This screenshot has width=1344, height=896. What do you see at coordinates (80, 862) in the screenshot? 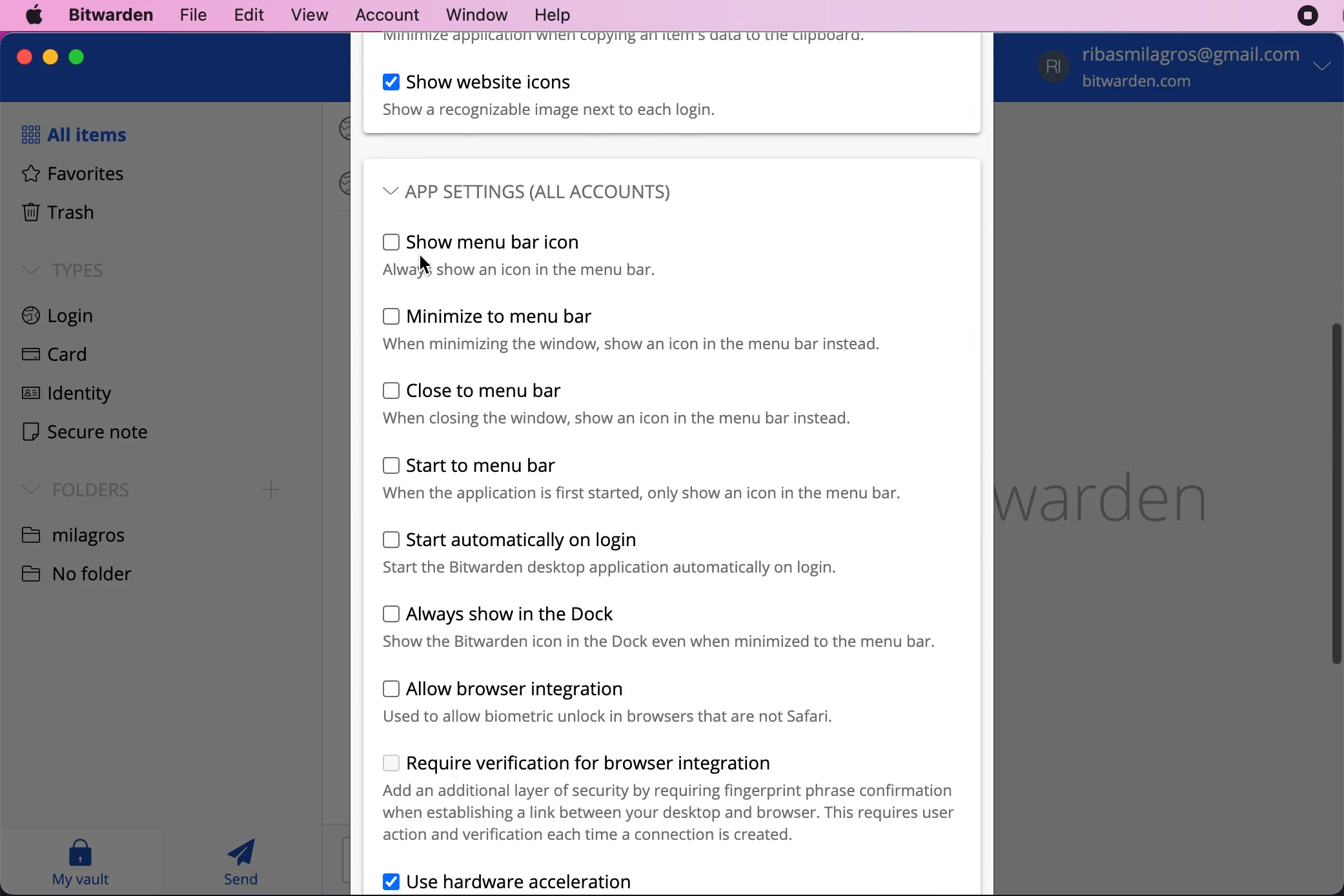
I see `my vault` at bounding box center [80, 862].